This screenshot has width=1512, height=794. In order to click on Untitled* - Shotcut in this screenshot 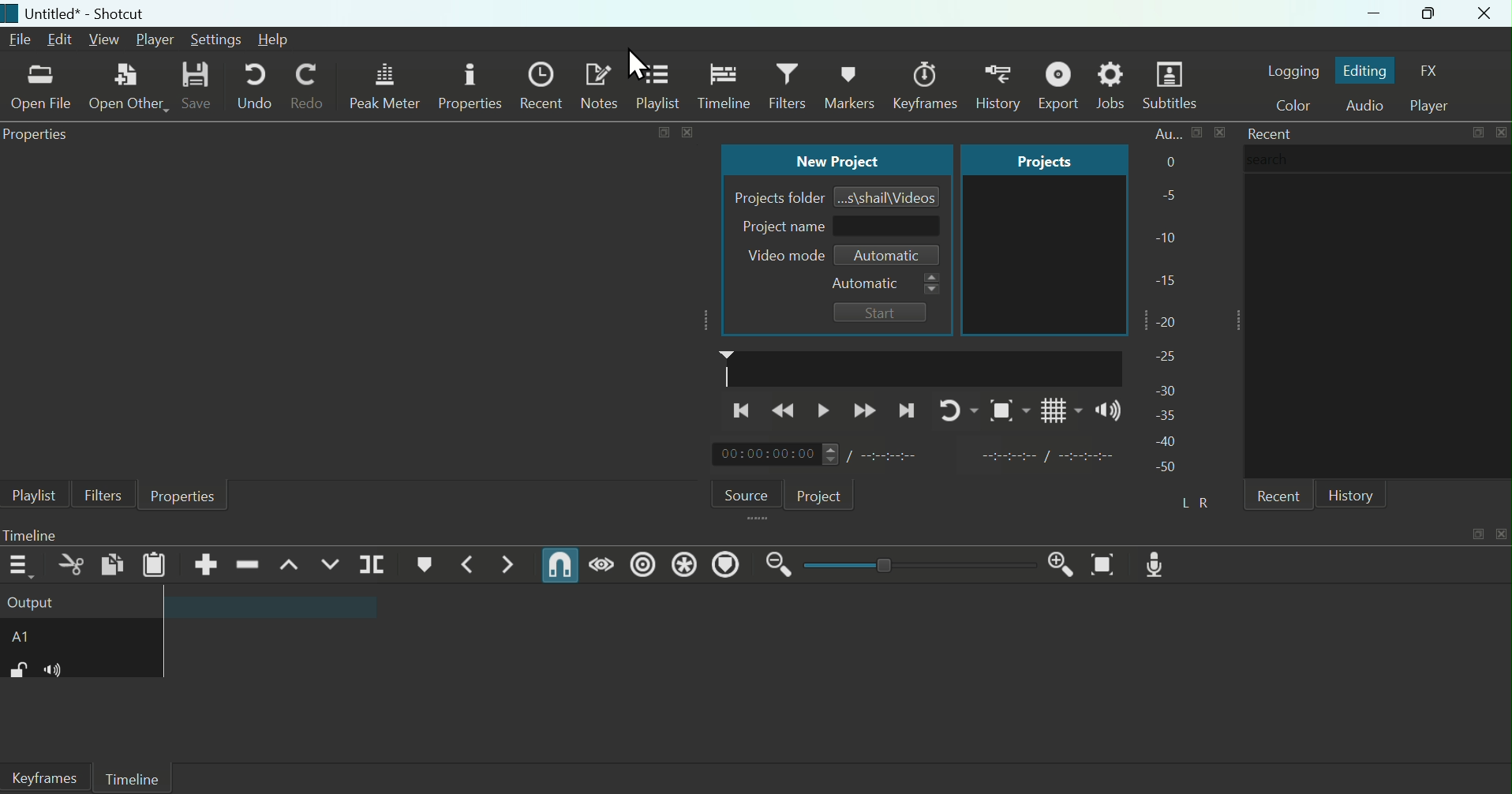, I will do `click(82, 14)`.